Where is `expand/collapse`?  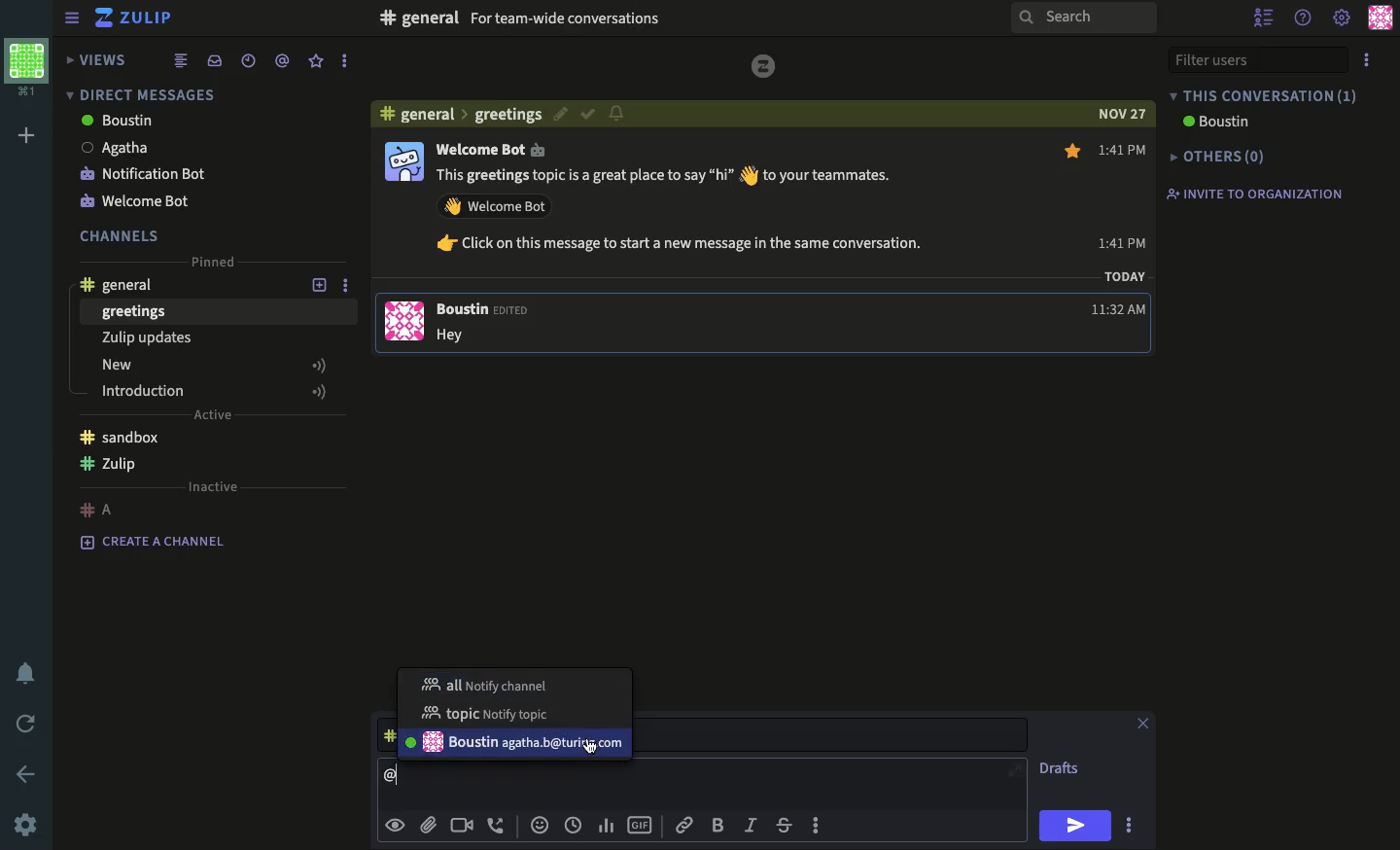
expand/collapse is located at coordinates (72, 19).